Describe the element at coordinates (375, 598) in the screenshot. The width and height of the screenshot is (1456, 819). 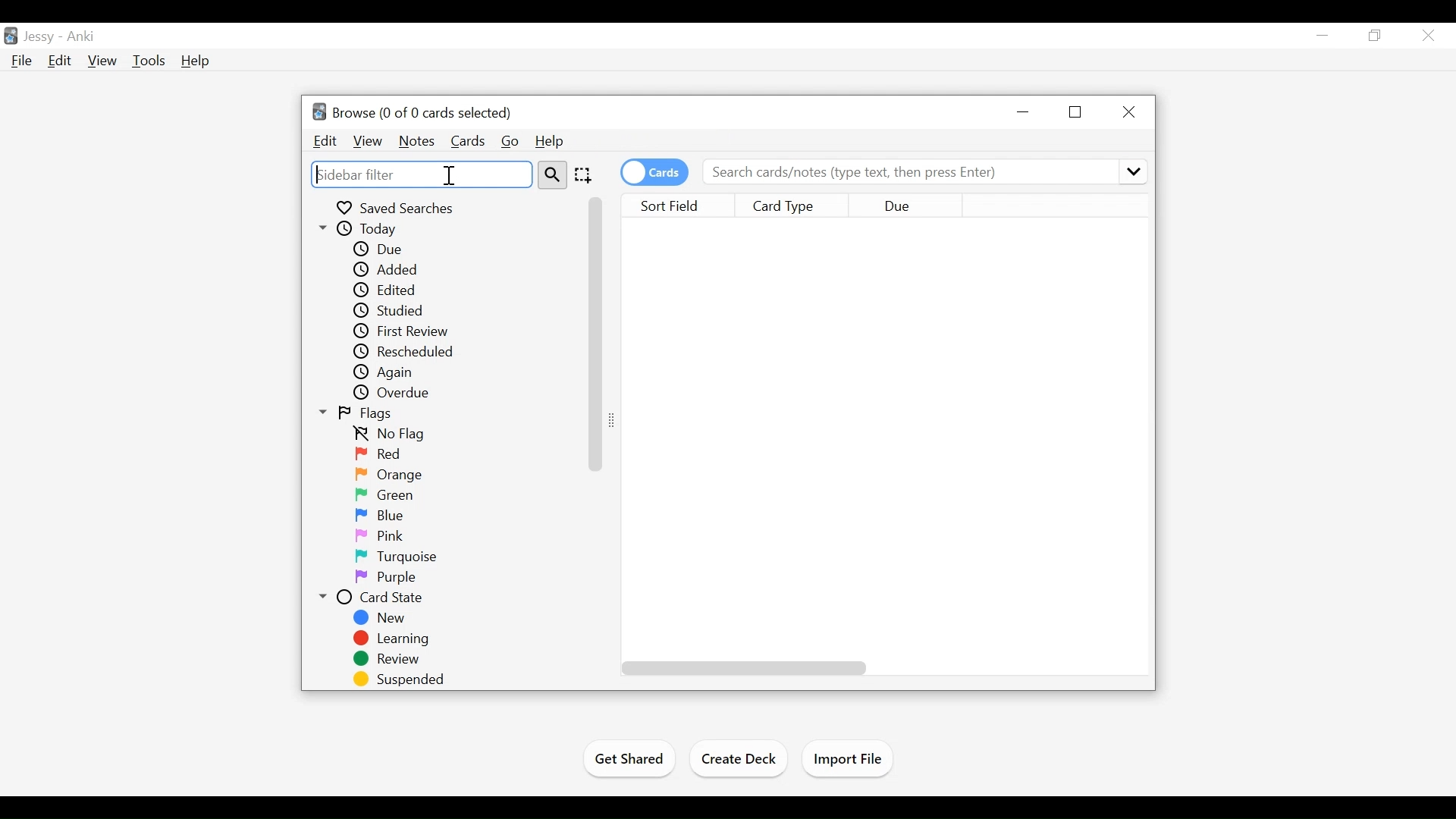
I see `Card State` at that location.